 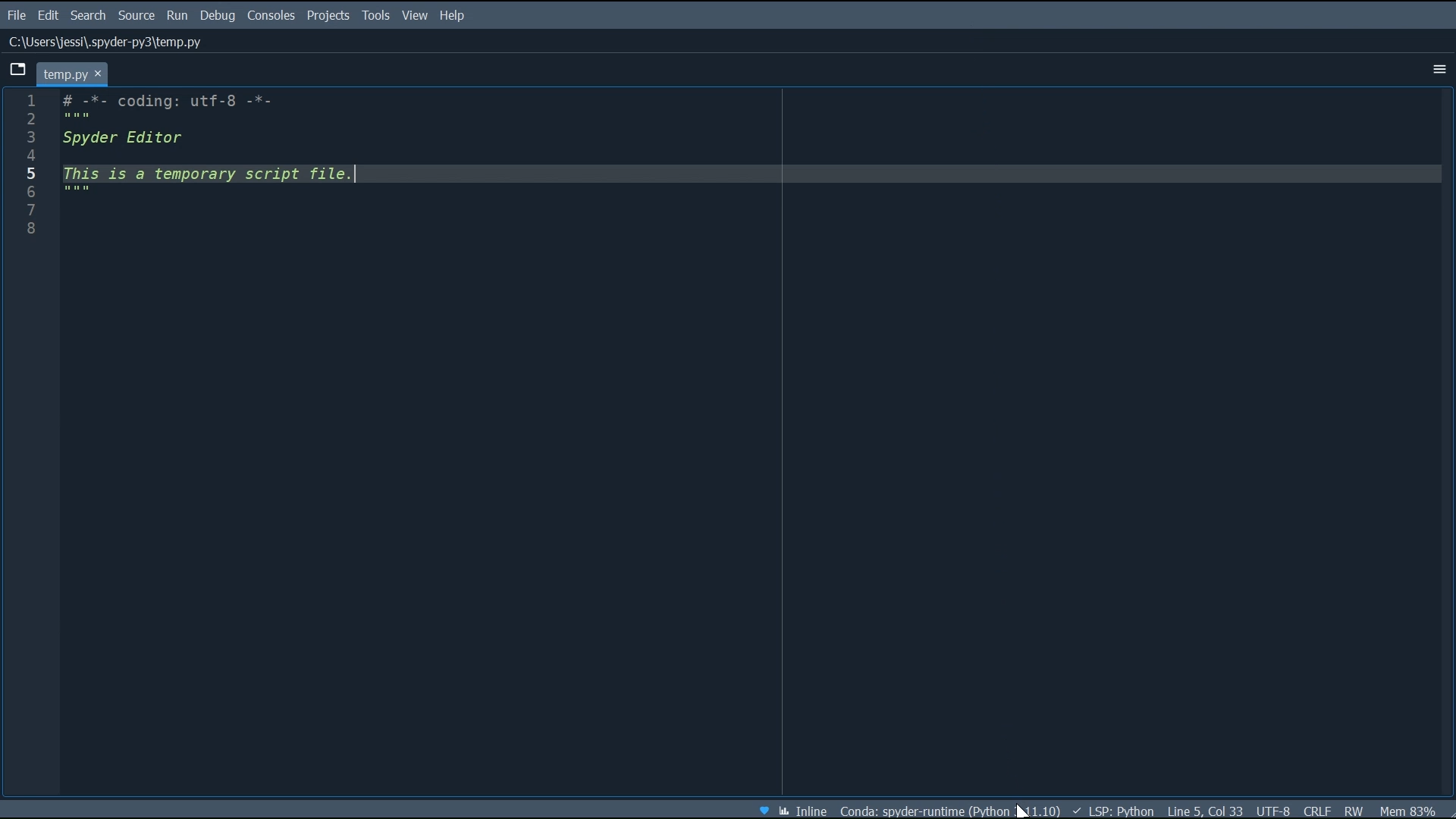 I want to click on Debug, so click(x=219, y=16).